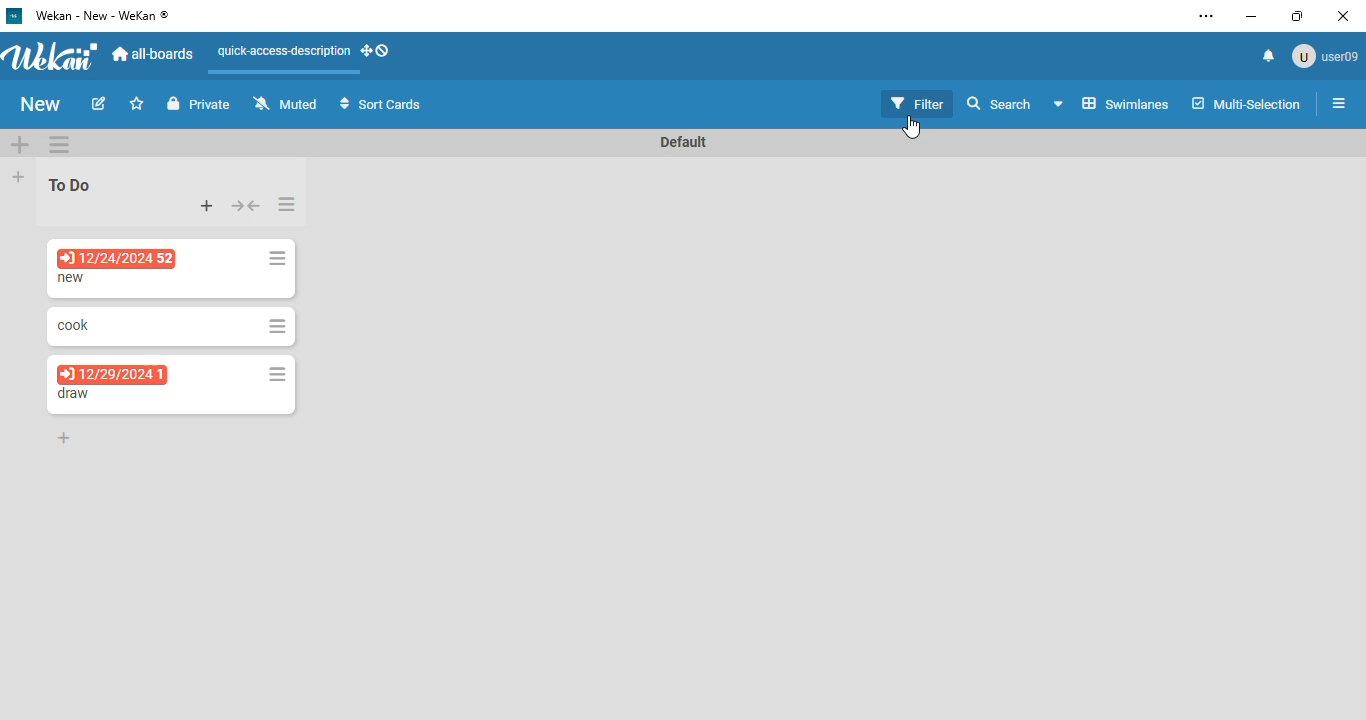  What do you see at coordinates (918, 104) in the screenshot?
I see `filter` at bounding box center [918, 104].